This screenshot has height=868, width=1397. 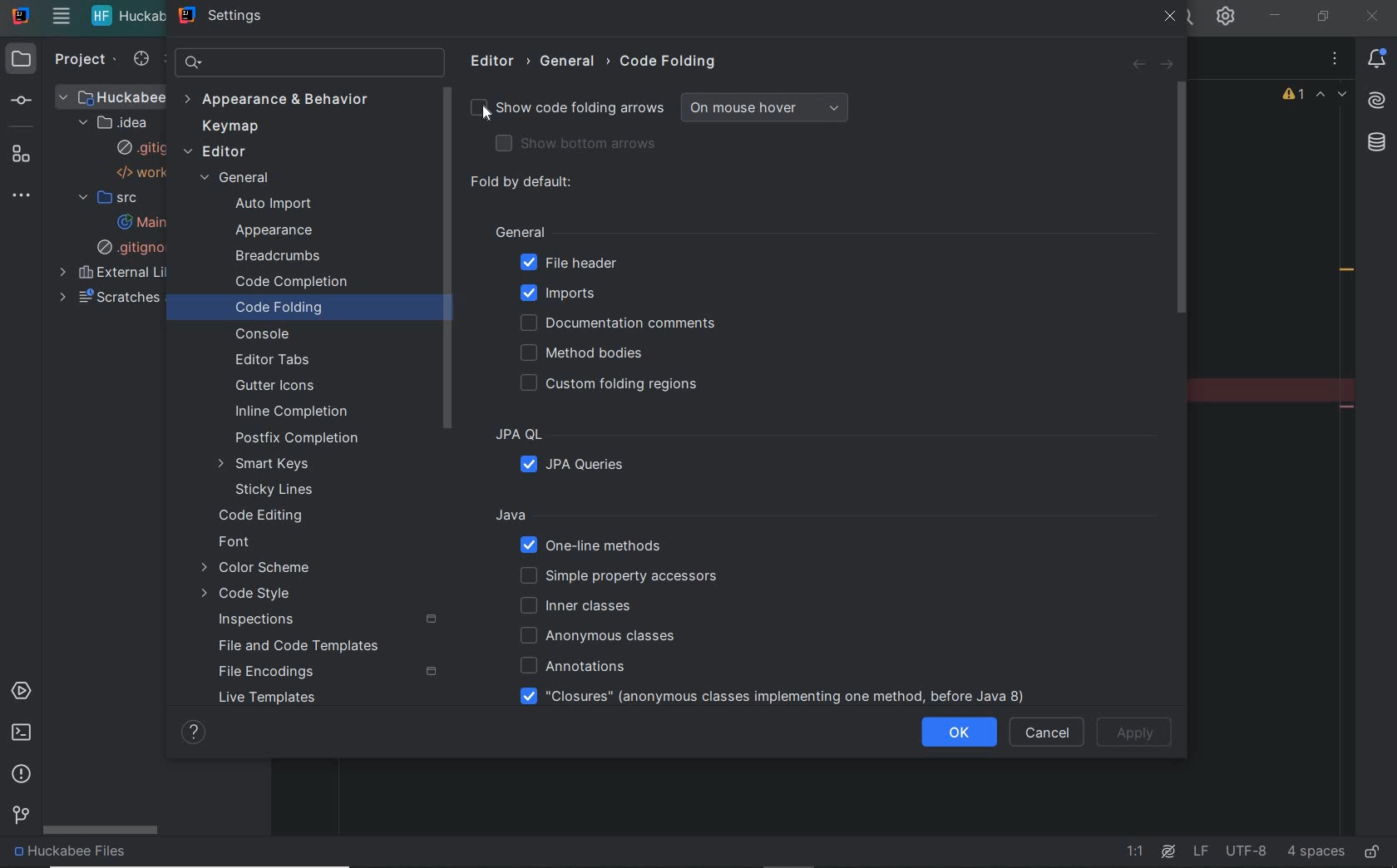 I want to click on code style, so click(x=249, y=594).